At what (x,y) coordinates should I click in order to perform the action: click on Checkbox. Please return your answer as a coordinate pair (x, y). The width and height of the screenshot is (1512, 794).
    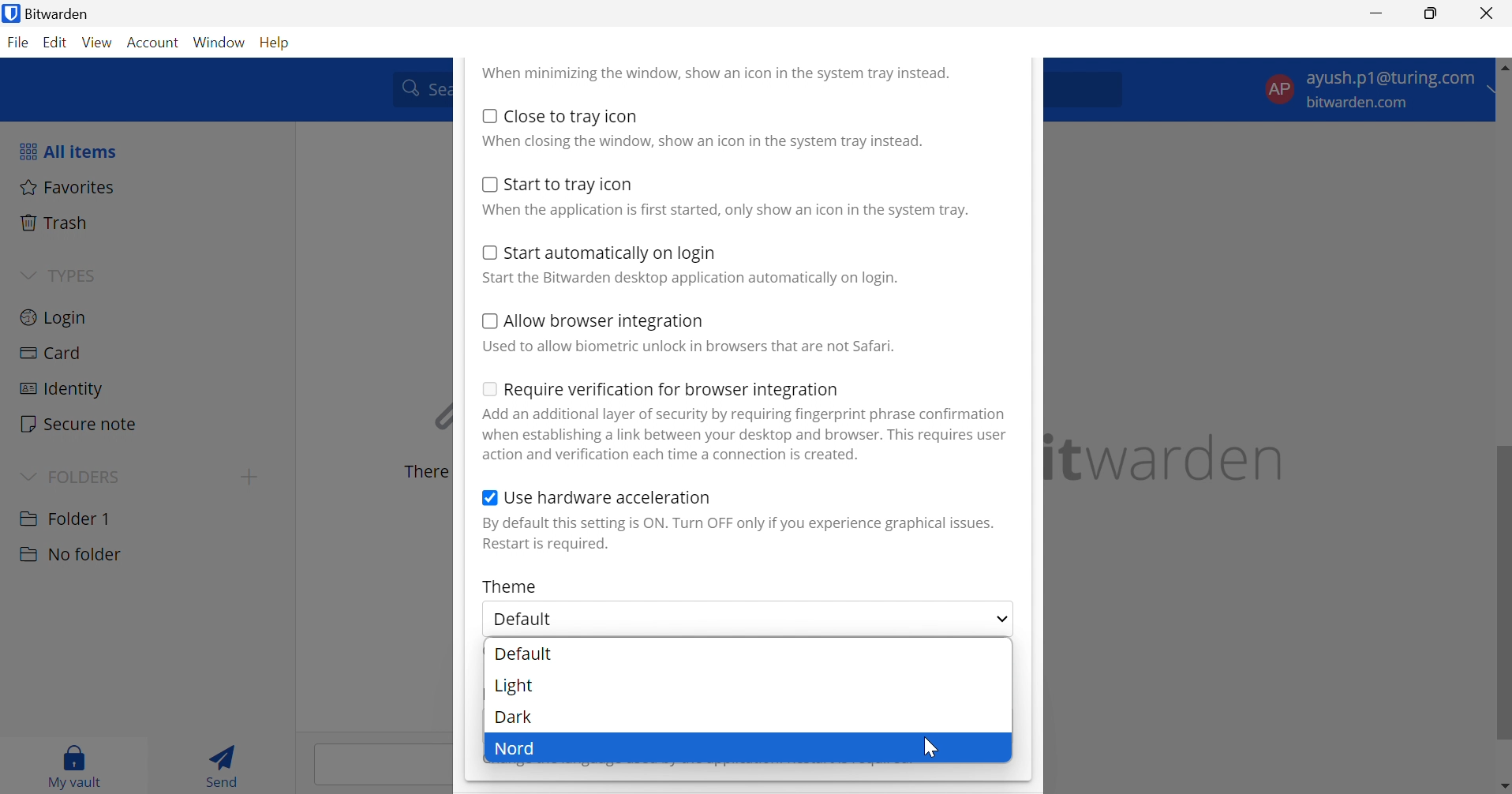
    Looking at the image, I should click on (489, 115).